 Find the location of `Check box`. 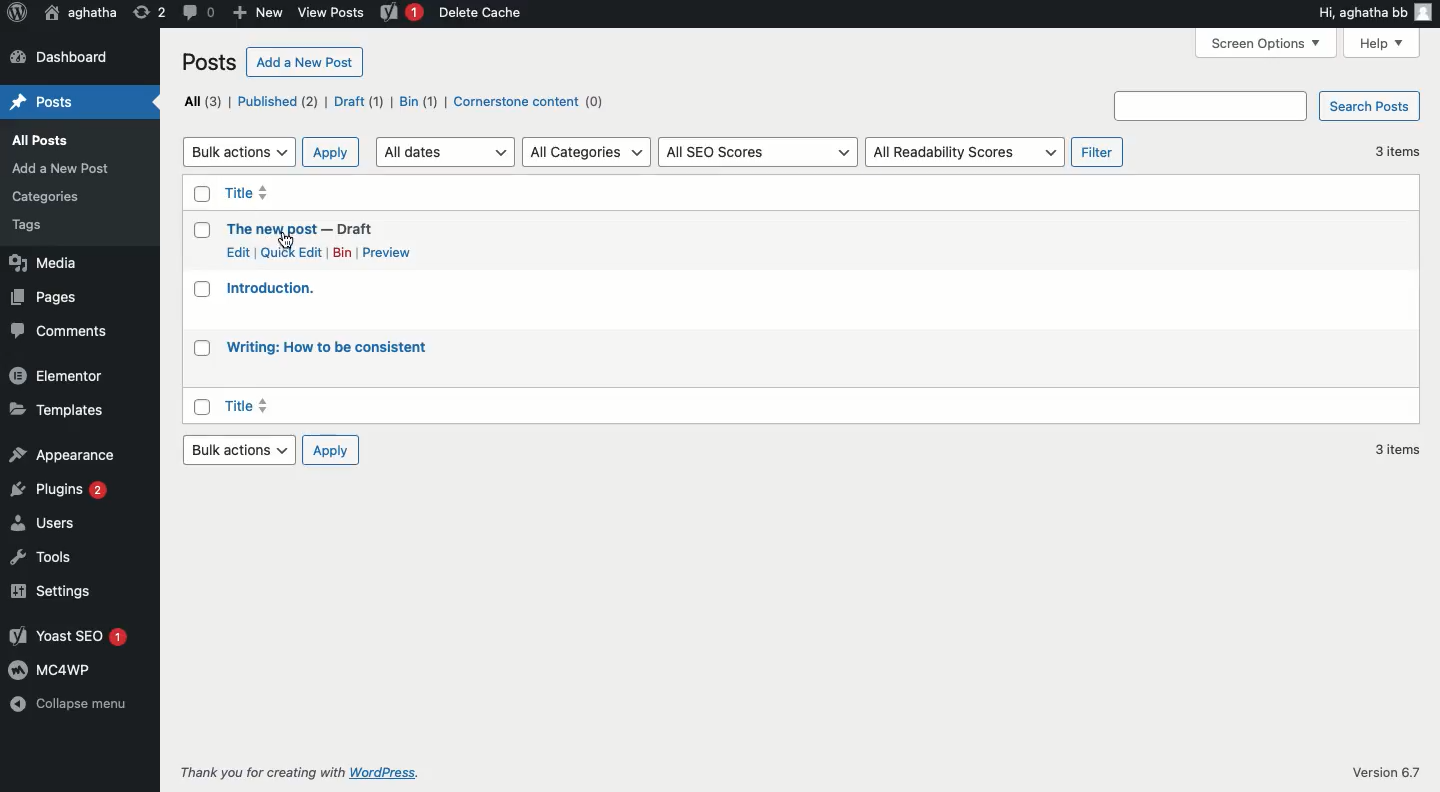

Check box is located at coordinates (200, 194).